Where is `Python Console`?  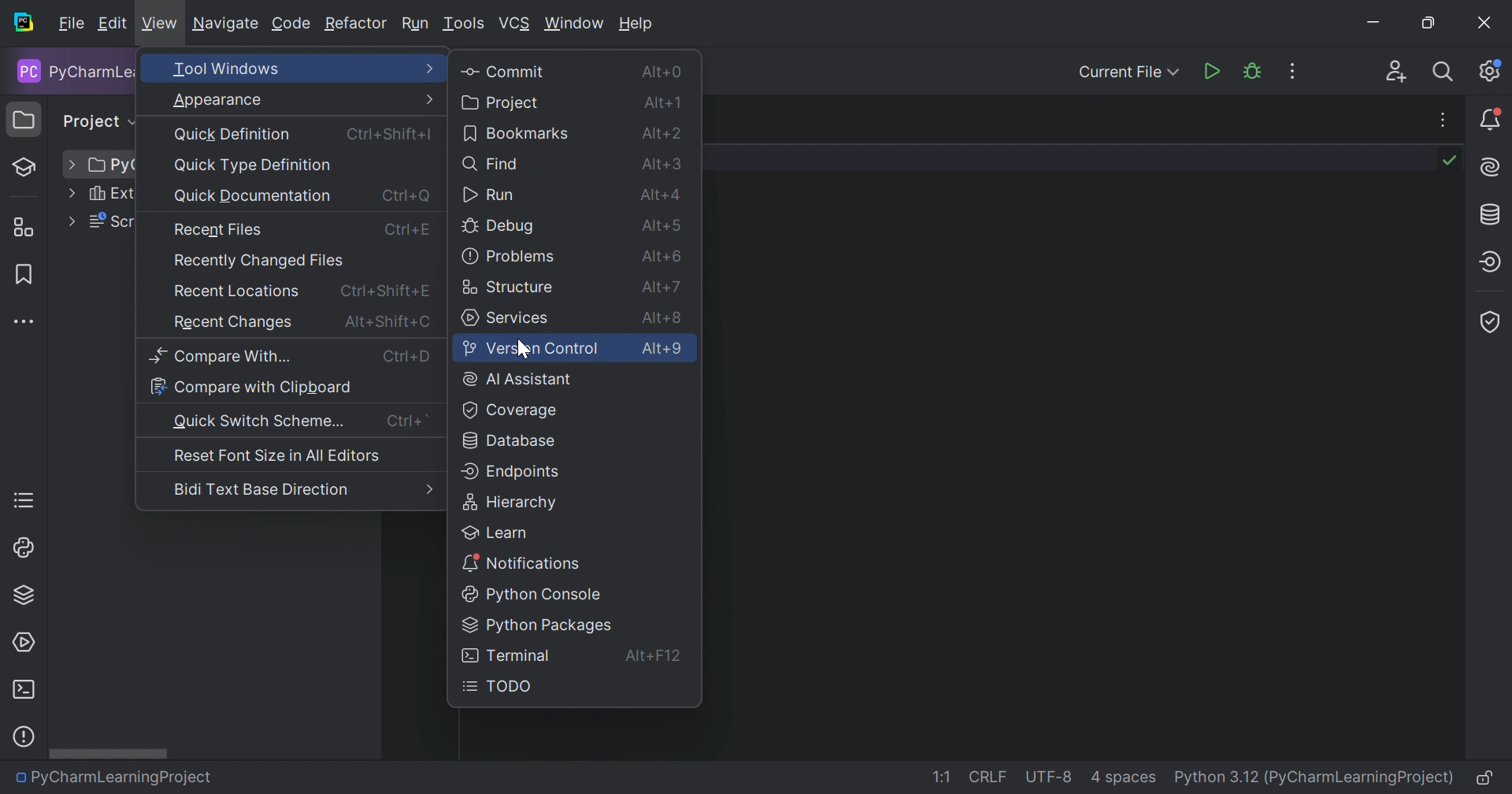
Python Console is located at coordinates (526, 592).